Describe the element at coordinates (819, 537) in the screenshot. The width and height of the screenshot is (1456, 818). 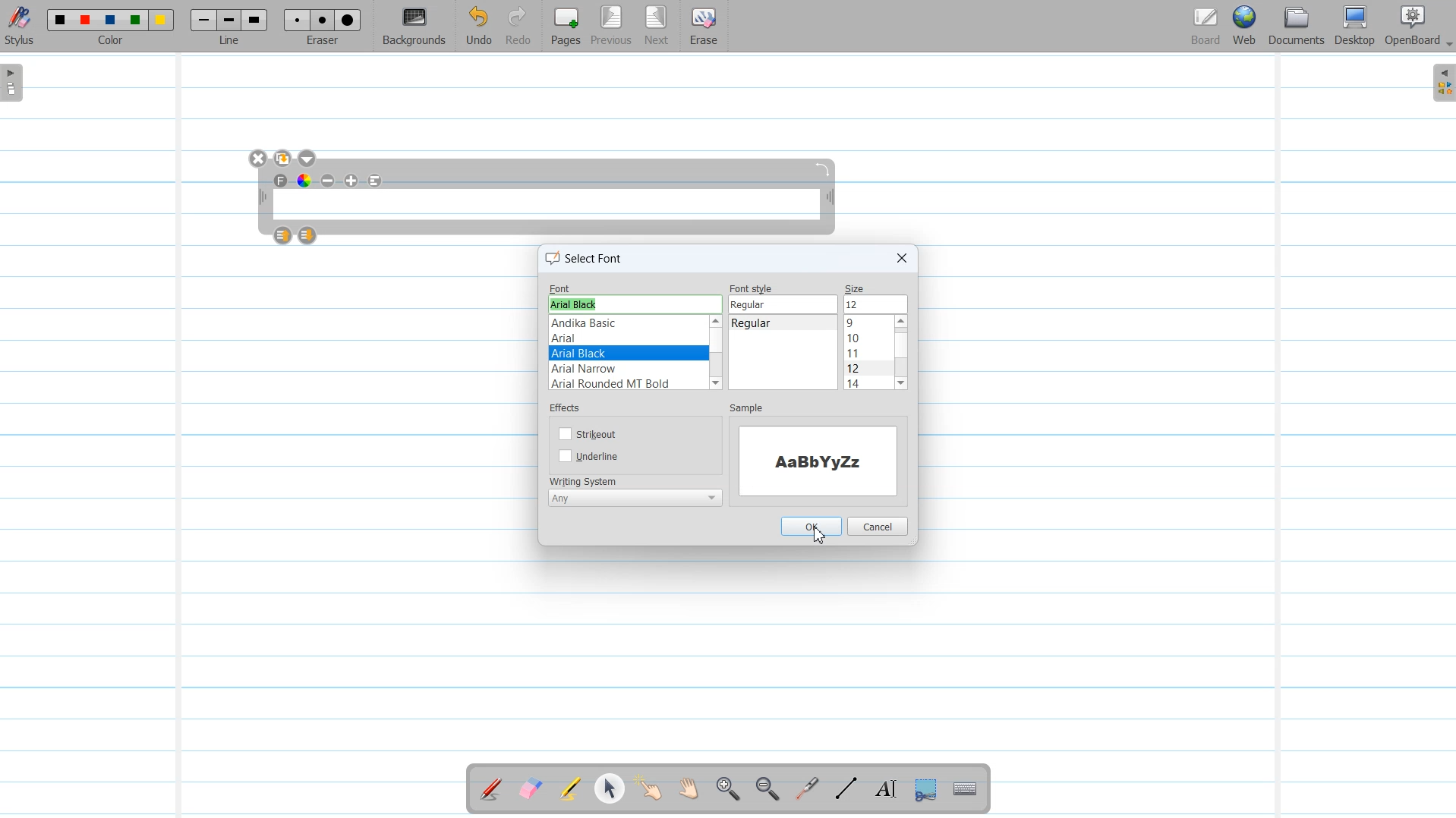
I see `Cursor` at that location.